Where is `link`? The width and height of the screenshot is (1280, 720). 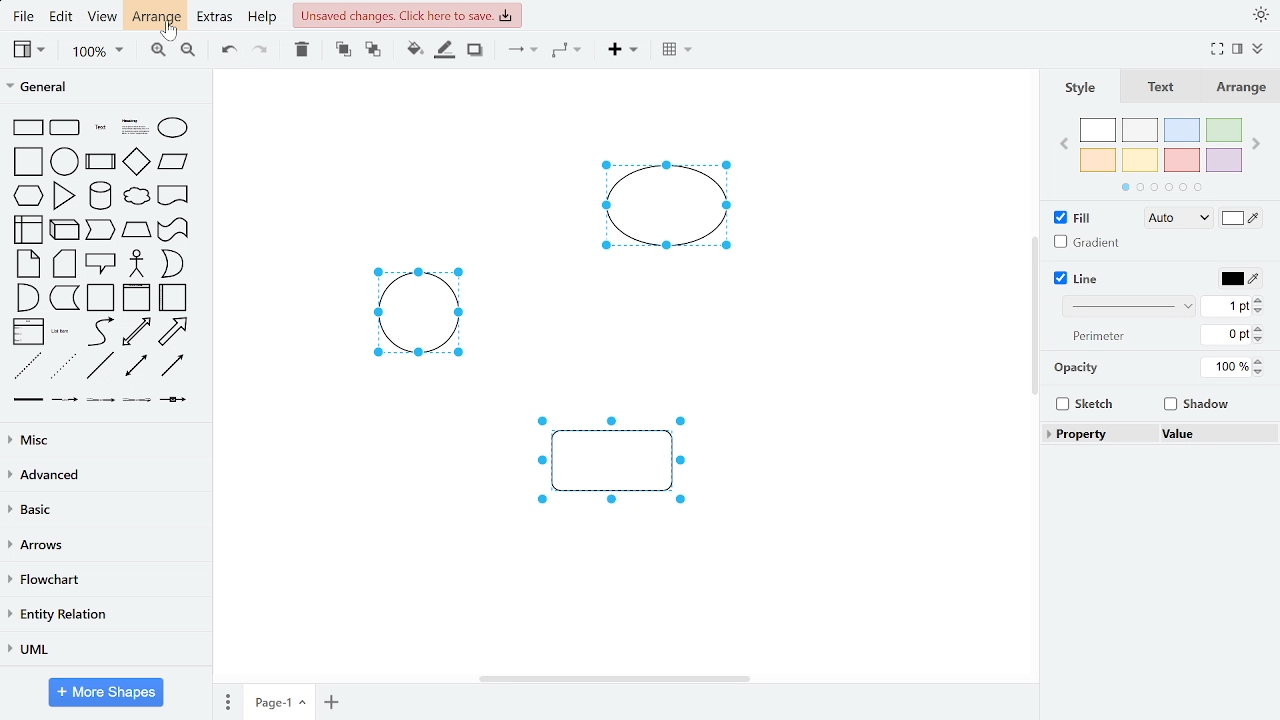 link is located at coordinates (29, 403).